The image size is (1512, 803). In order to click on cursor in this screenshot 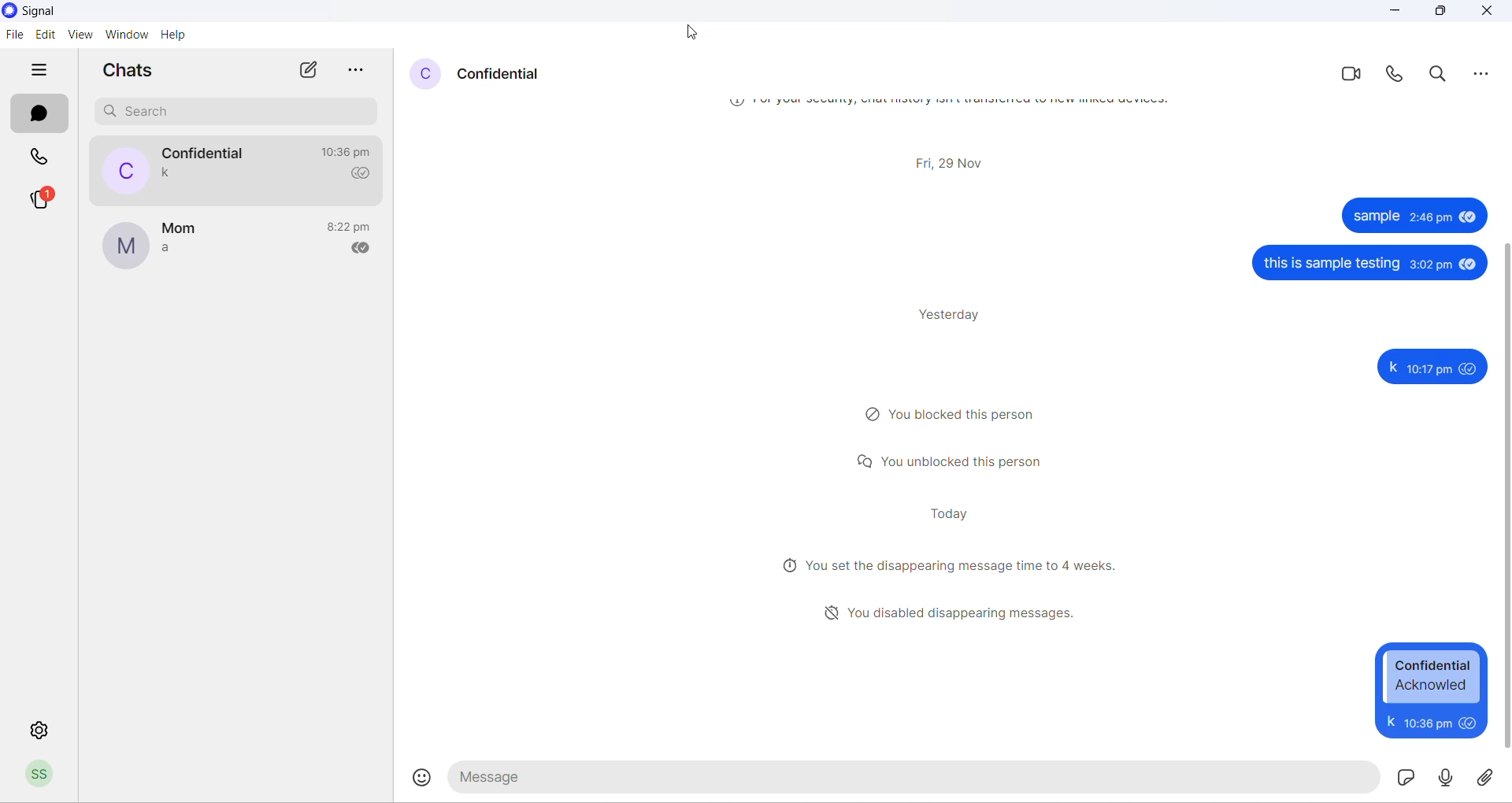, I will do `click(696, 31)`.